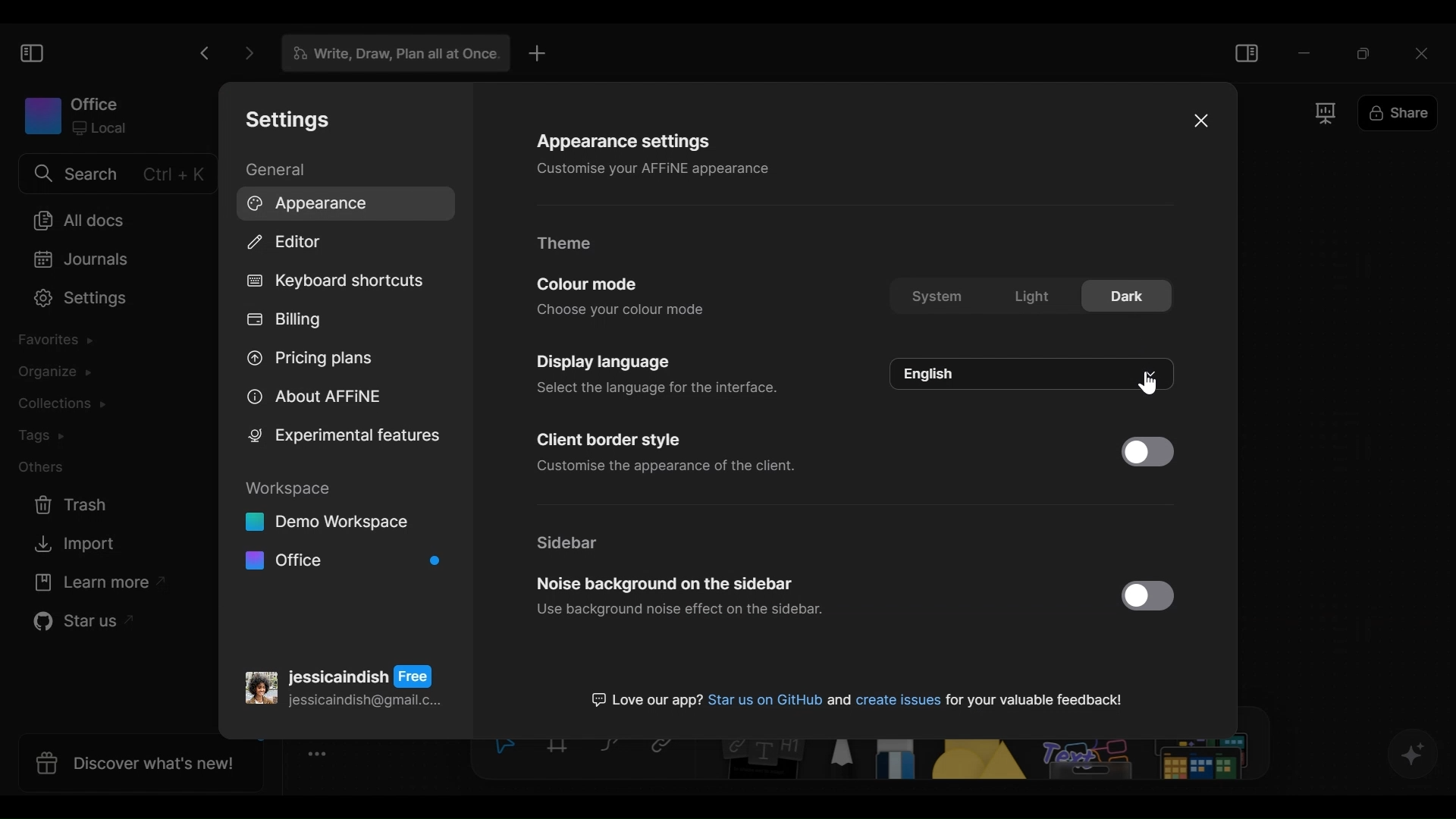 Image resolution: width=1456 pixels, height=819 pixels. Describe the element at coordinates (344, 435) in the screenshot. I see `Experimental features` at that location.